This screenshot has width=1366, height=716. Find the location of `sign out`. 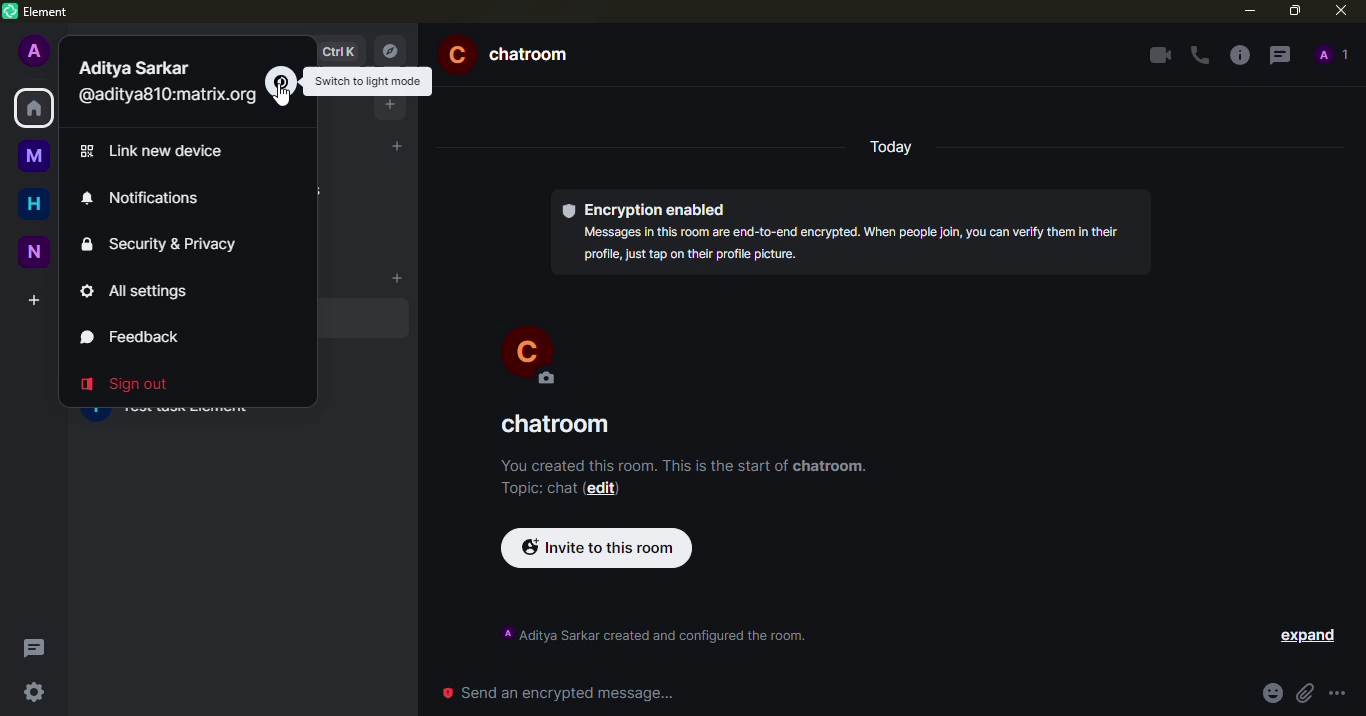

sign out is located at coordinates (129, 385).